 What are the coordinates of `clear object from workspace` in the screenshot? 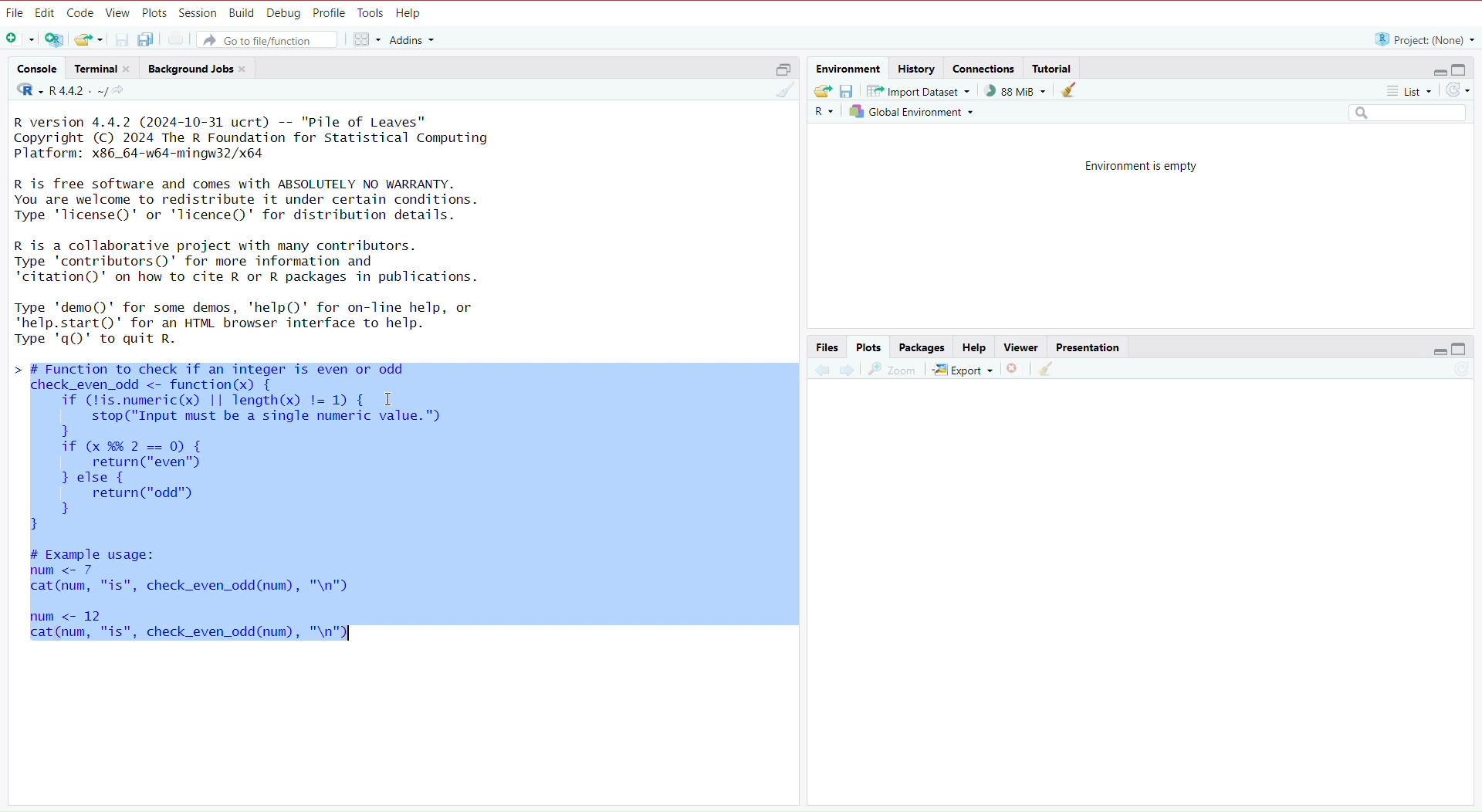 It's located at (1071, 92).